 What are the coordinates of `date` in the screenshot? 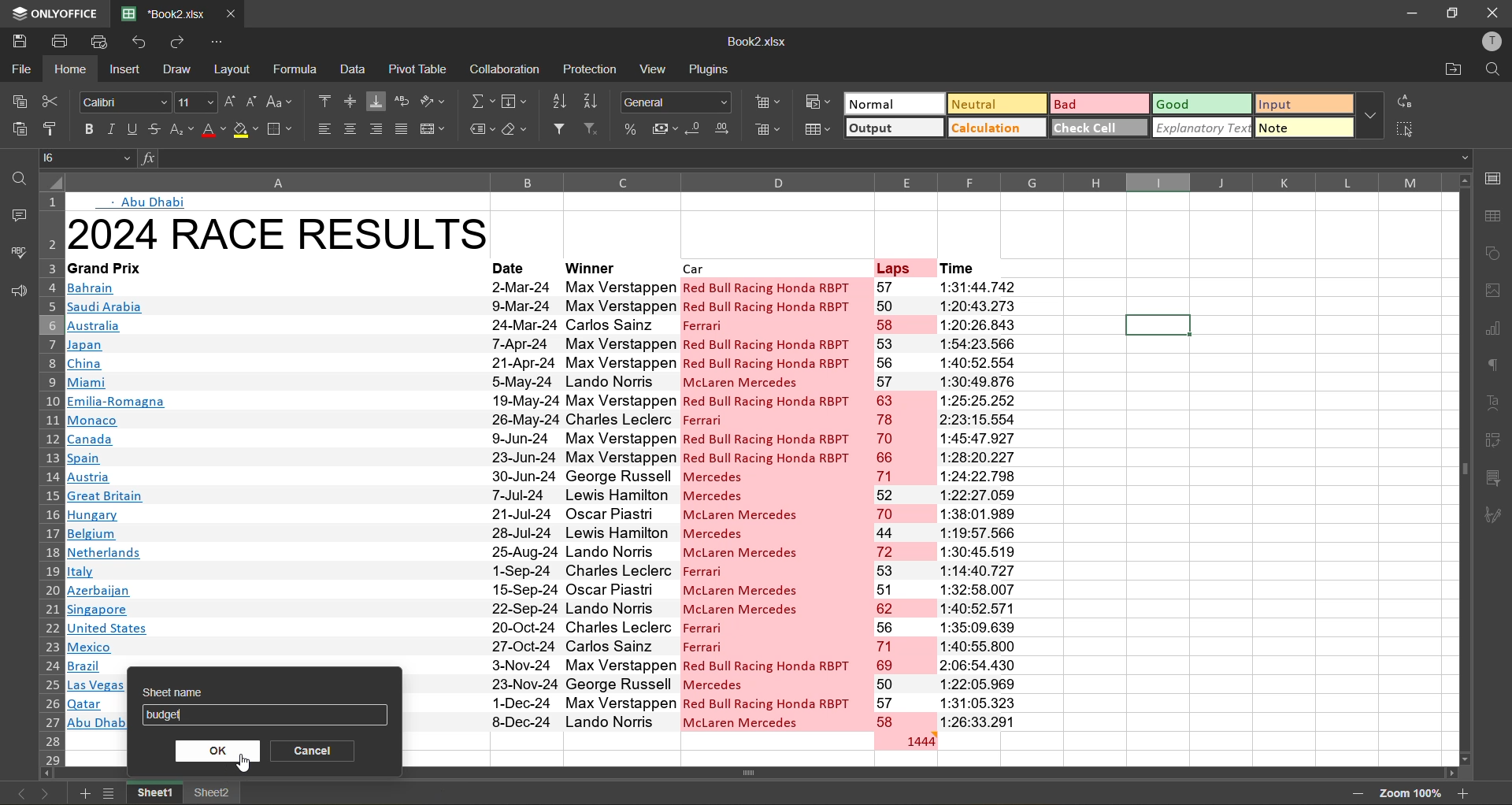 It's located at (522, 503).